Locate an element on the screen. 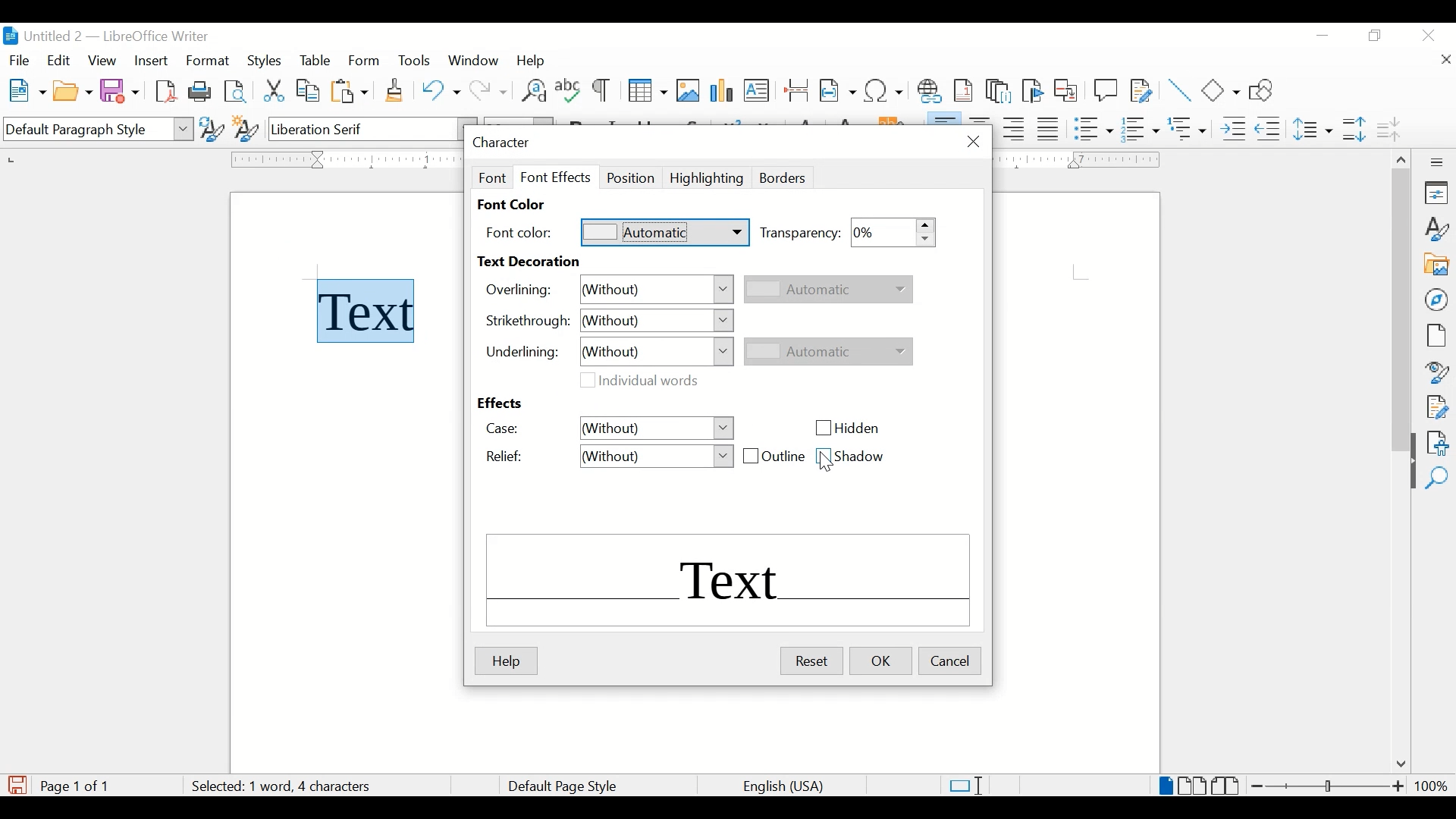 This screenshot has width=1456, height=819. table is located at coordinates (315, 61).